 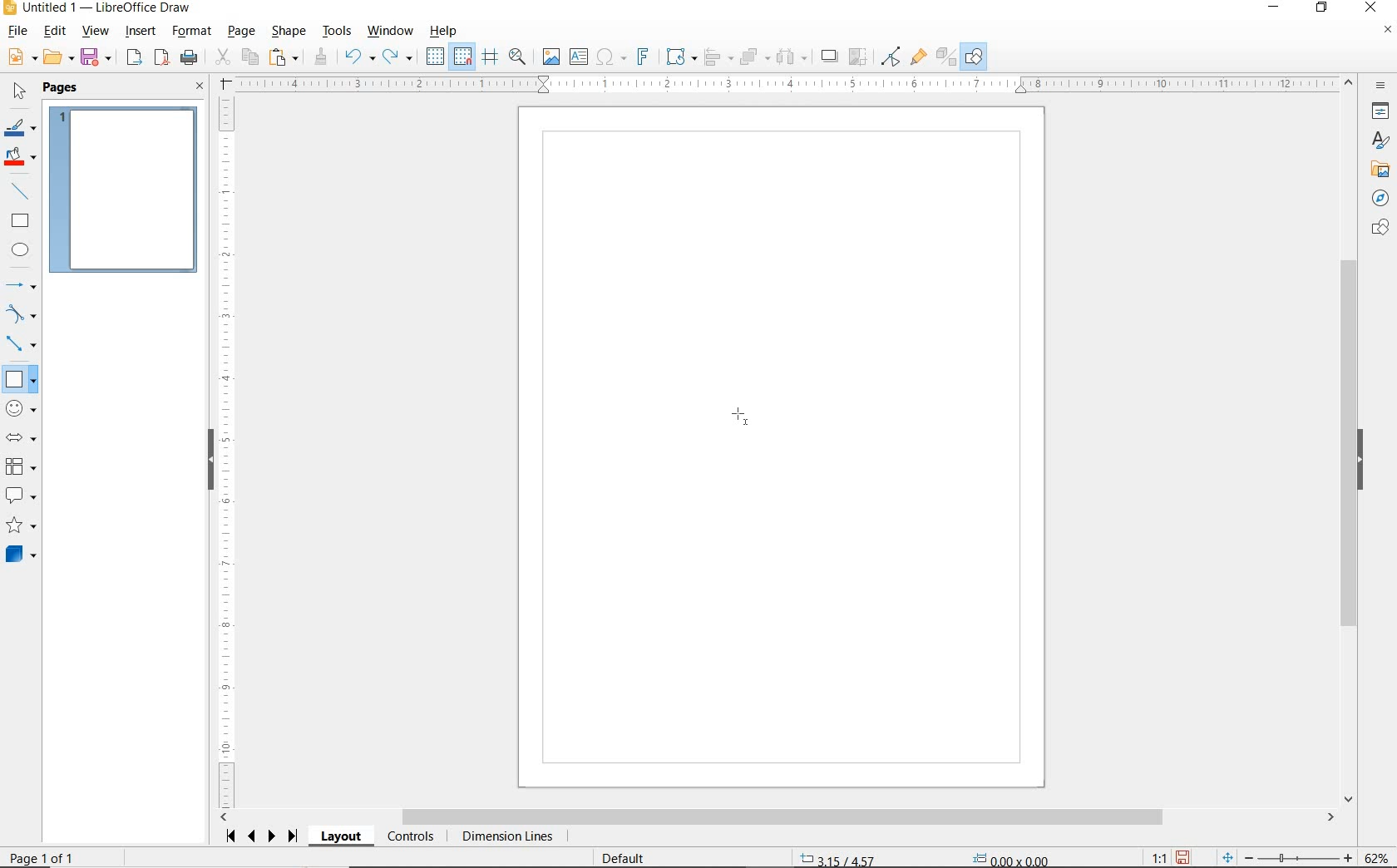 What do you see at coordinates (945, 56) in the screenshot?
I see `TOGGLE EXTRUSION` at bounding box center [945, 56].